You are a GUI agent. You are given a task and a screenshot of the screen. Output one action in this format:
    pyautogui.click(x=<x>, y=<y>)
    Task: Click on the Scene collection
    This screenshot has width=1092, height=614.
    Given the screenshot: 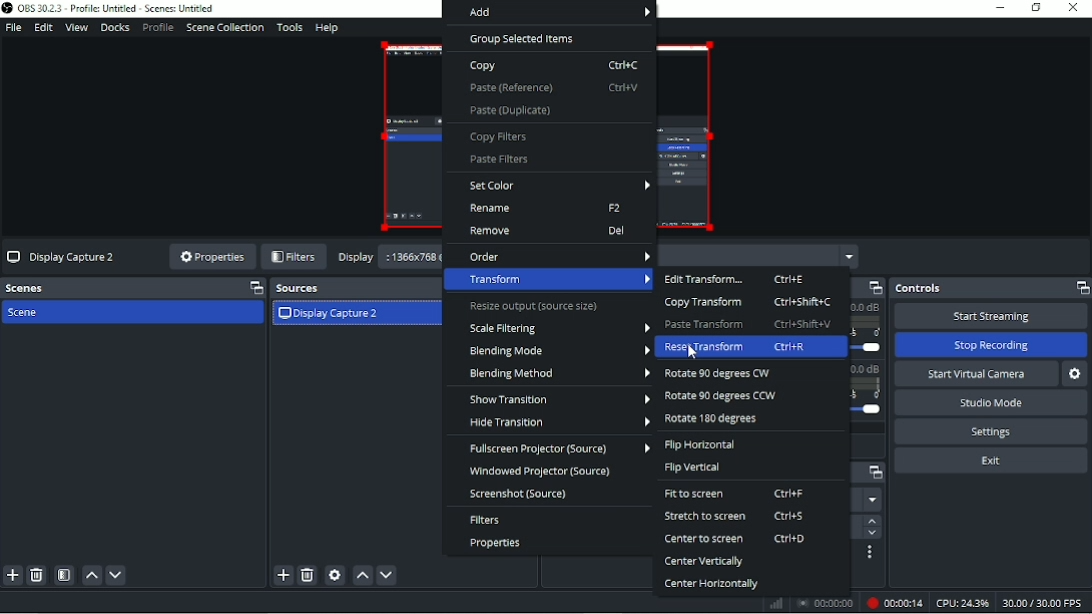 What is the action you would take?
    pyautogui.click(x=224, y=28)
    